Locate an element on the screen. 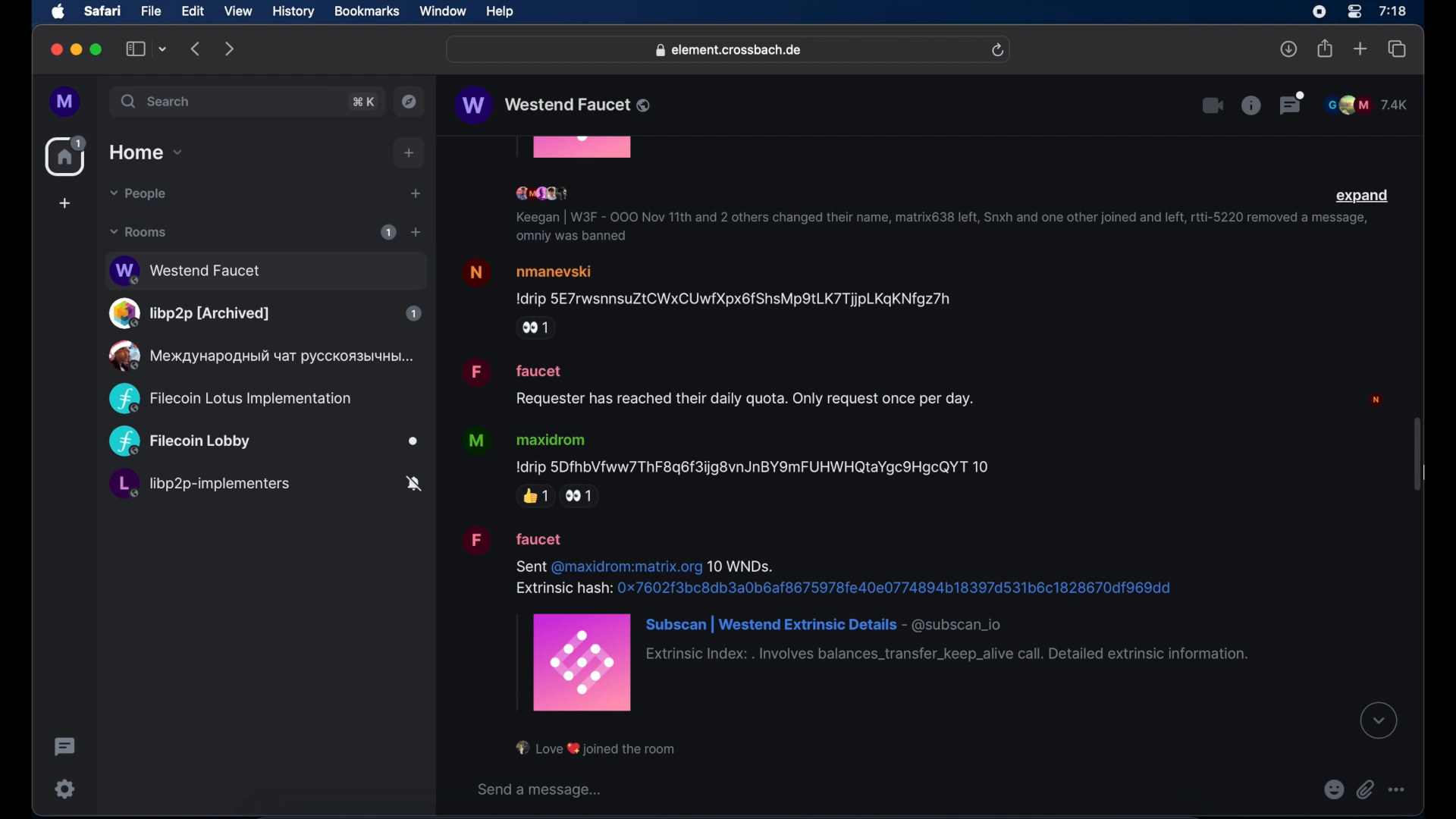 The height and width of the screenshot is (819, 1456). close is located at coordinates (55, 50).